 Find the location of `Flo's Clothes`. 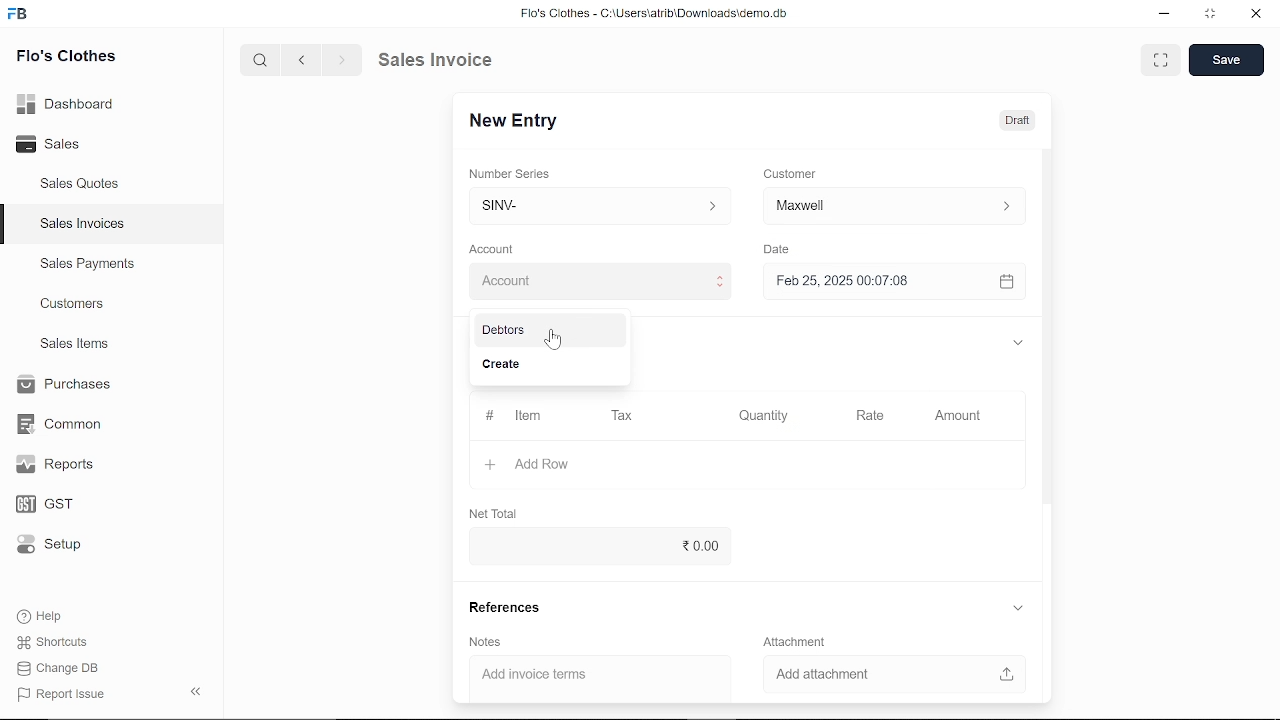

Flo's Clothes is located at coordinates (64, 59).